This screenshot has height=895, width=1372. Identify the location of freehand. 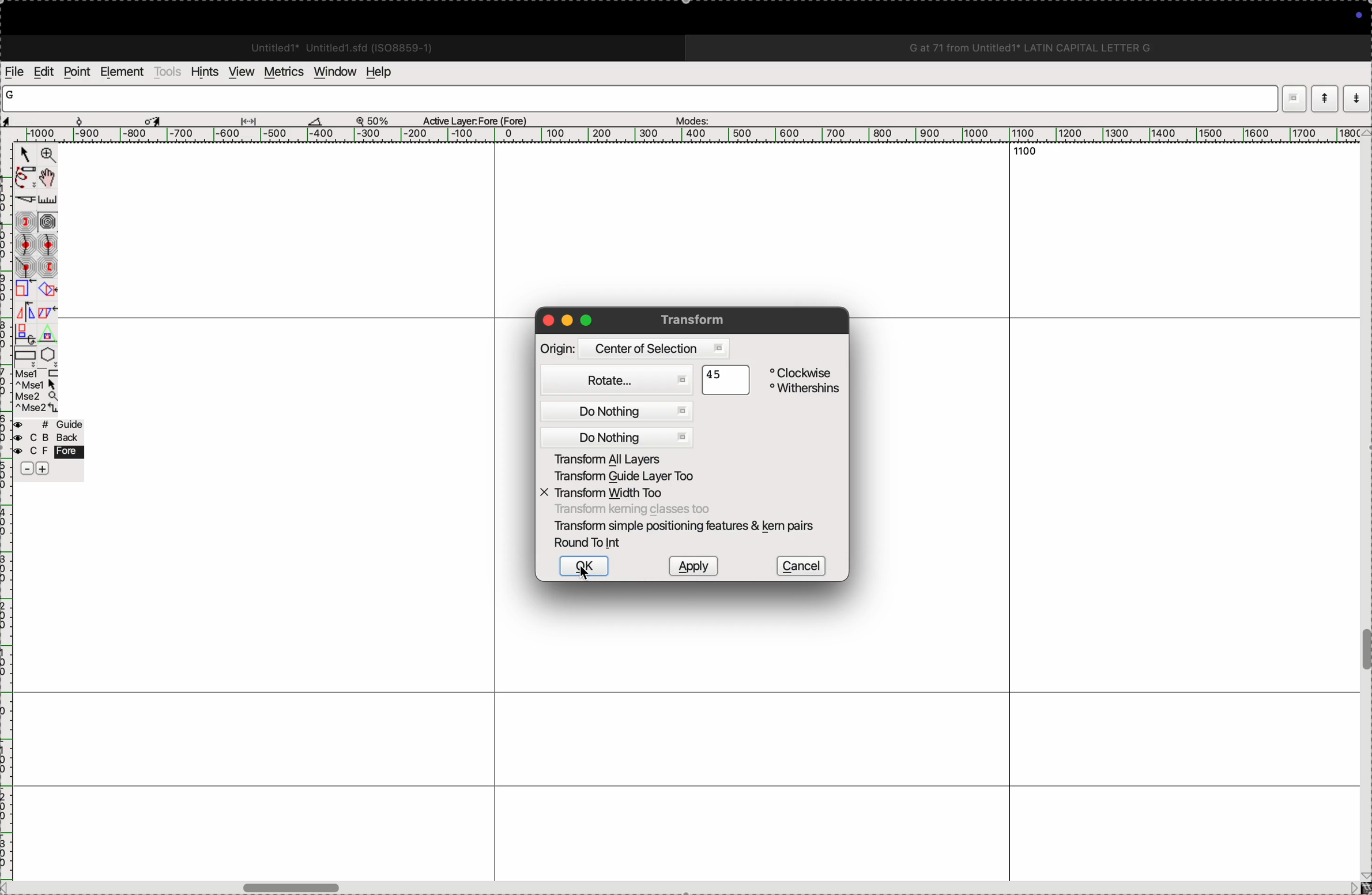
(25, 179).